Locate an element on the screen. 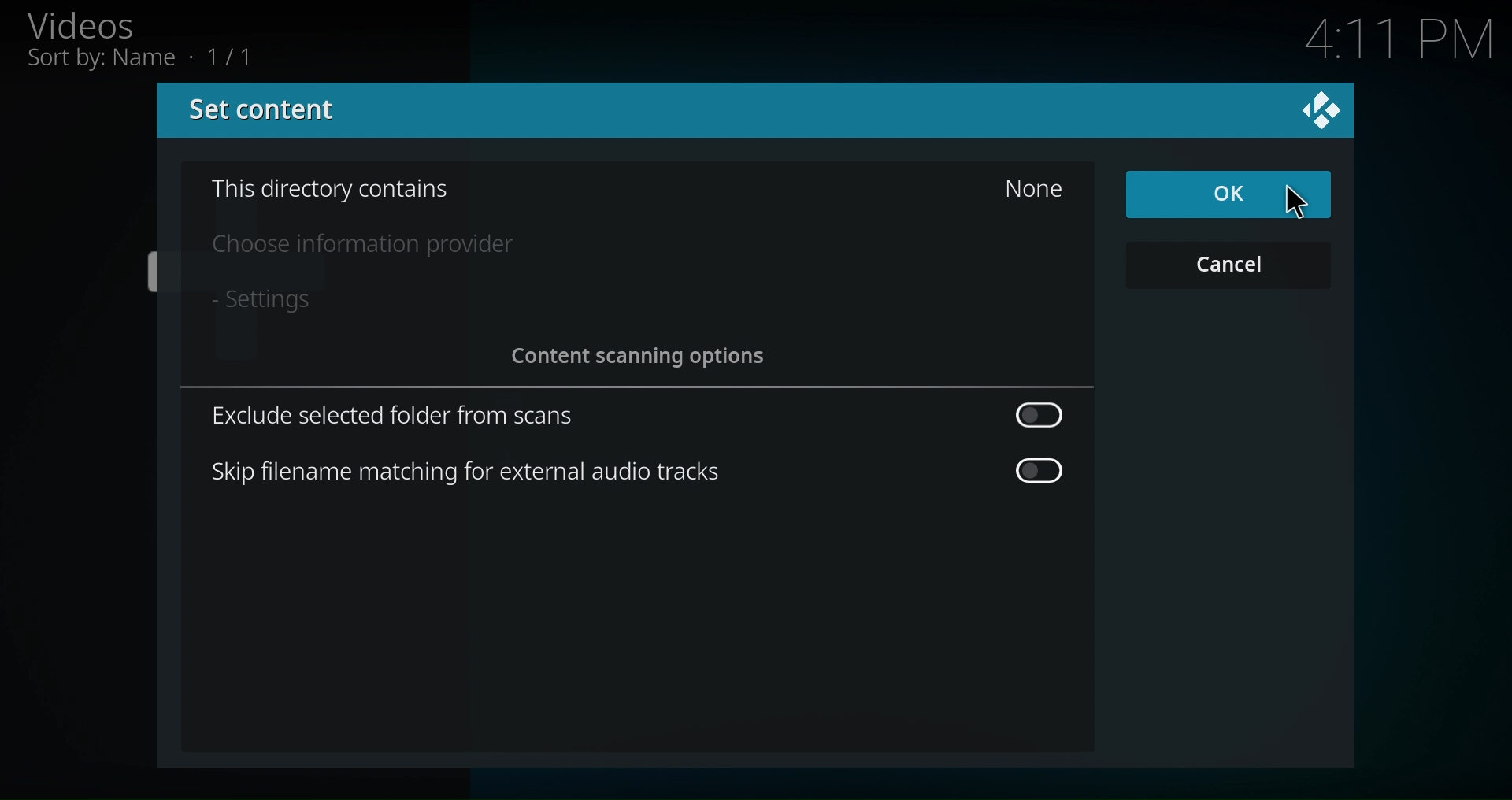 The width and height of the screenshot is (1512, 800). Content scanning options is located at coordinates (656, 357).